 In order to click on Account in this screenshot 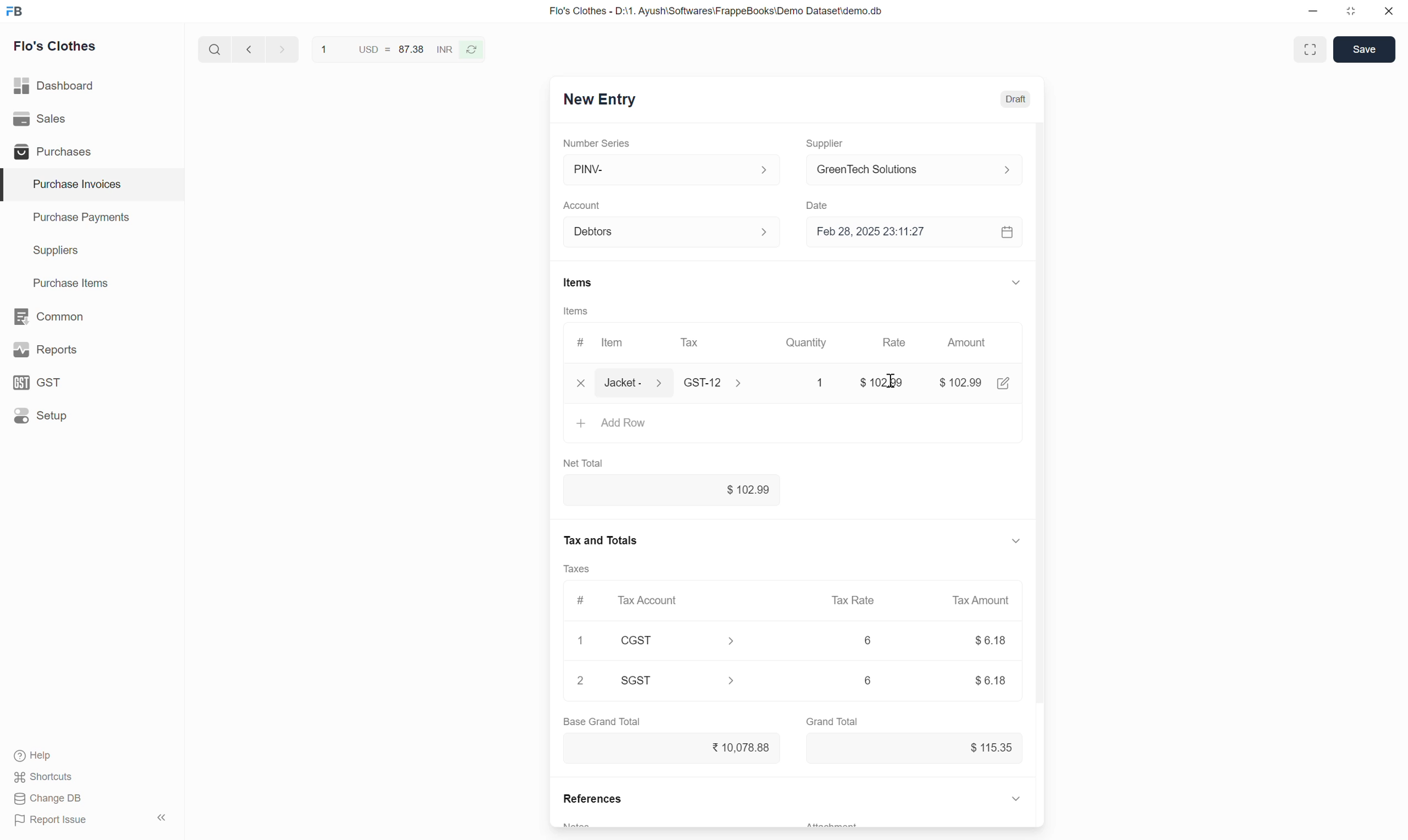, I will do `click(674, 232)`.